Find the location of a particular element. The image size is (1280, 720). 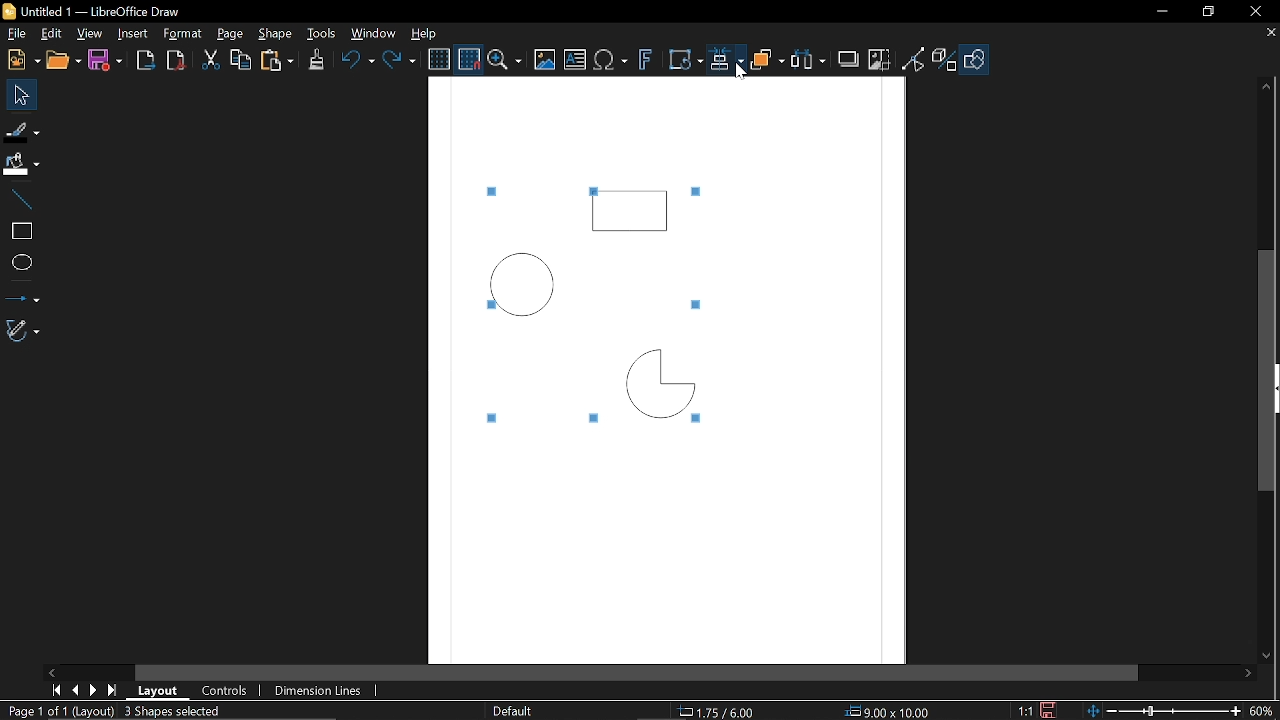

Lines and arrows is located at coordinates (22, 297).